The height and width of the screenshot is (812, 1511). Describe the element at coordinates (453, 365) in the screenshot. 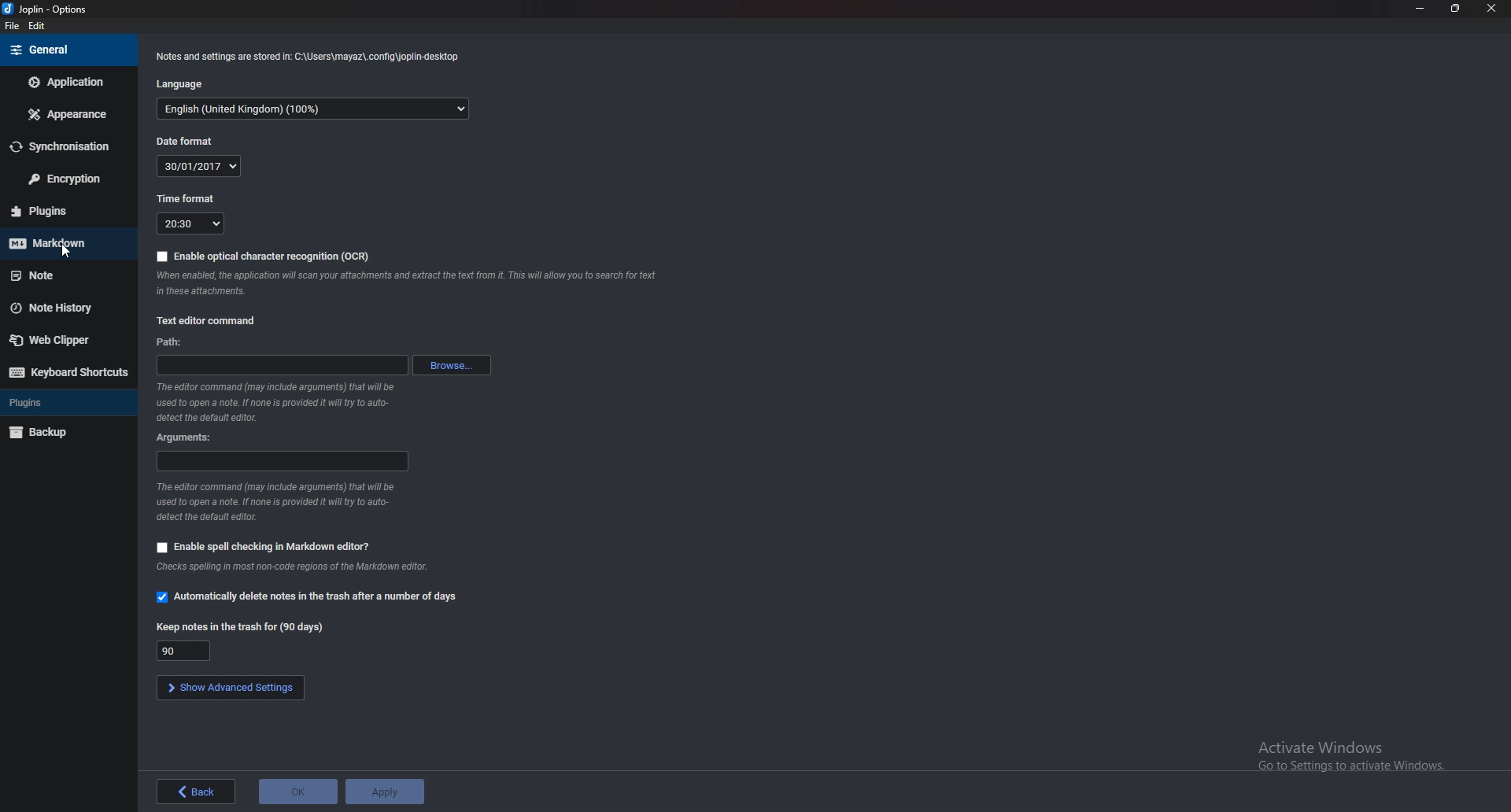

I see `browse` at that location.